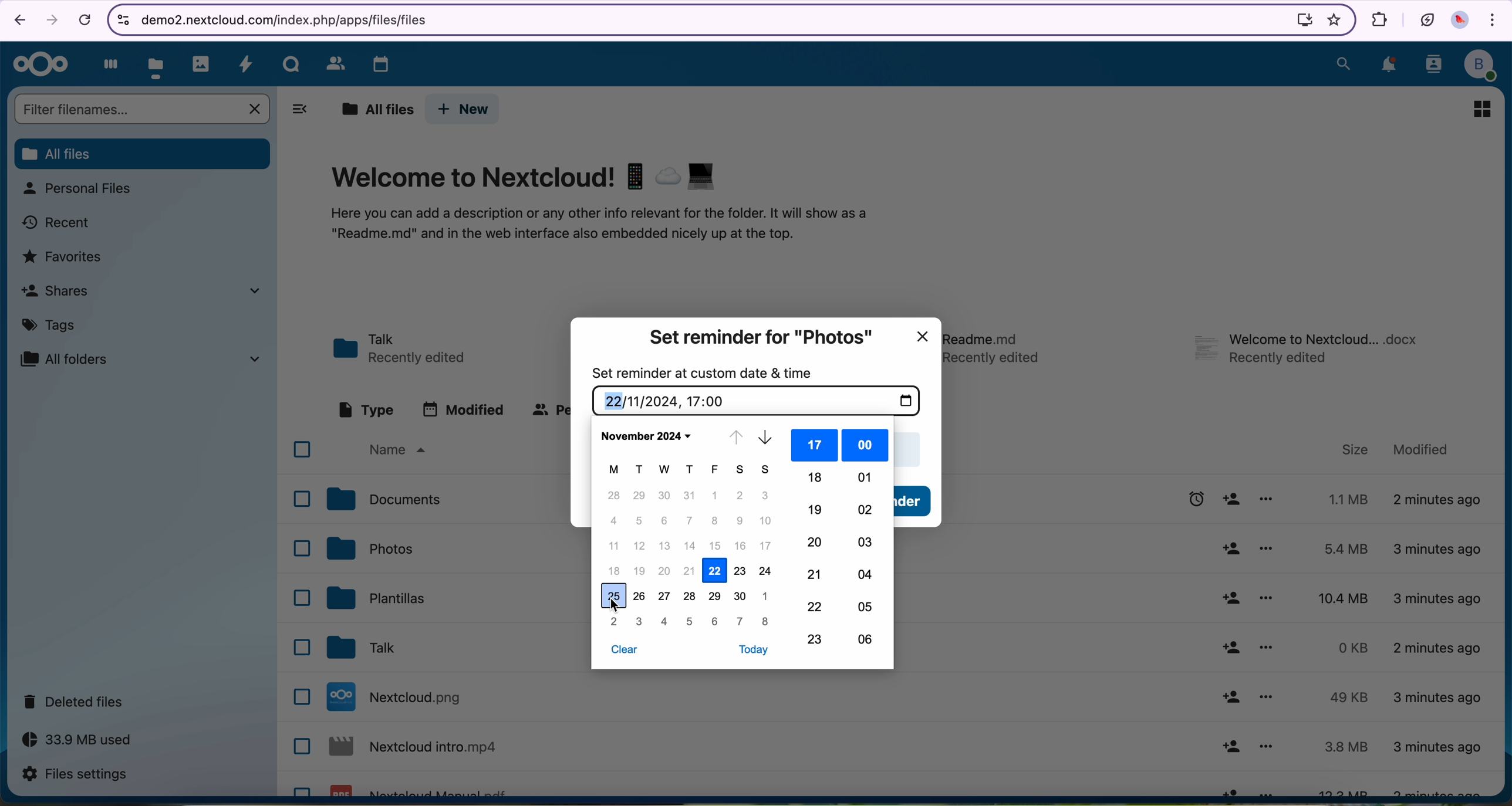 The height and width of the screenshot is (806, 1512). Describe the element at coordinates (764, 571) in the screenshot. I see `24` at that location.